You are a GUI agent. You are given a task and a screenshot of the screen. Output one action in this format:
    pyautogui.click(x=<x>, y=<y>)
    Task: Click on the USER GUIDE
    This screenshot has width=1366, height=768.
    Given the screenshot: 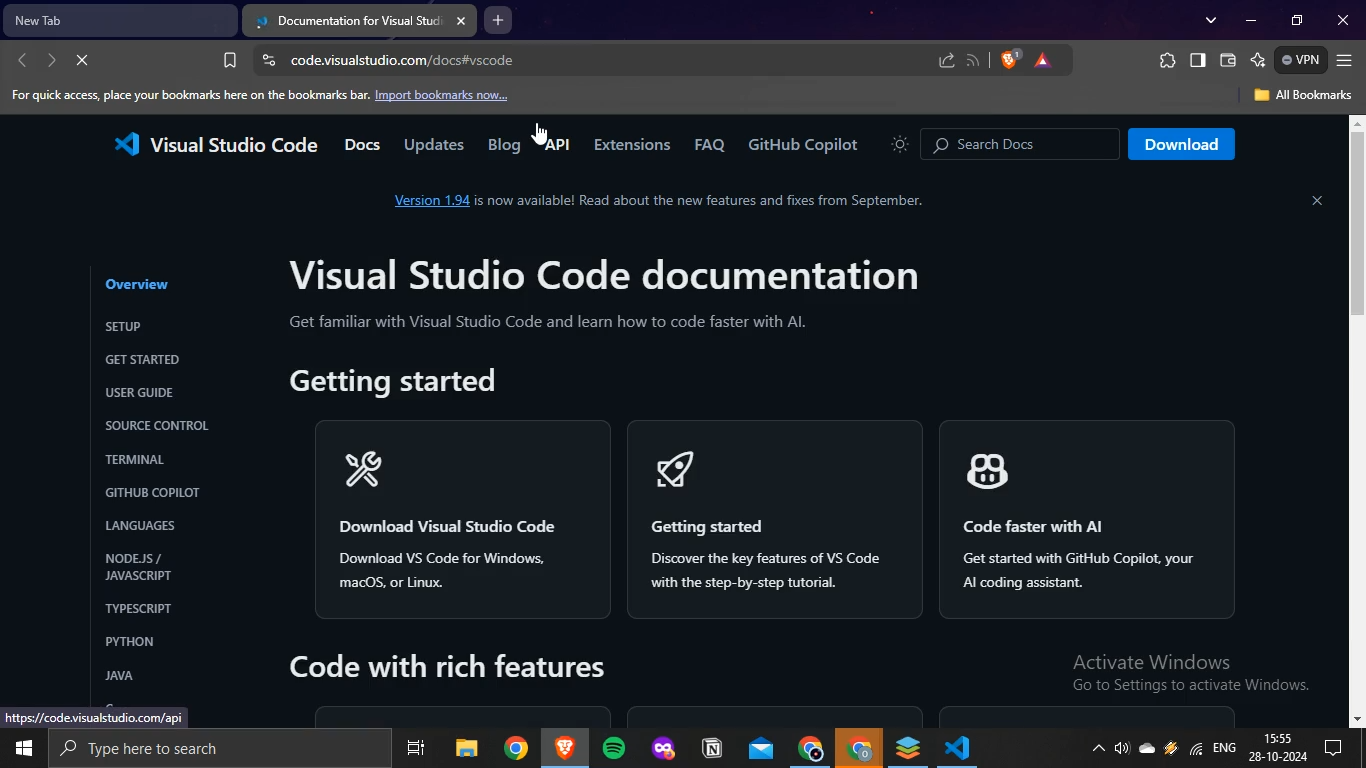 What is the action you would take?
    pyautogui.click(x=142, y=391)
    